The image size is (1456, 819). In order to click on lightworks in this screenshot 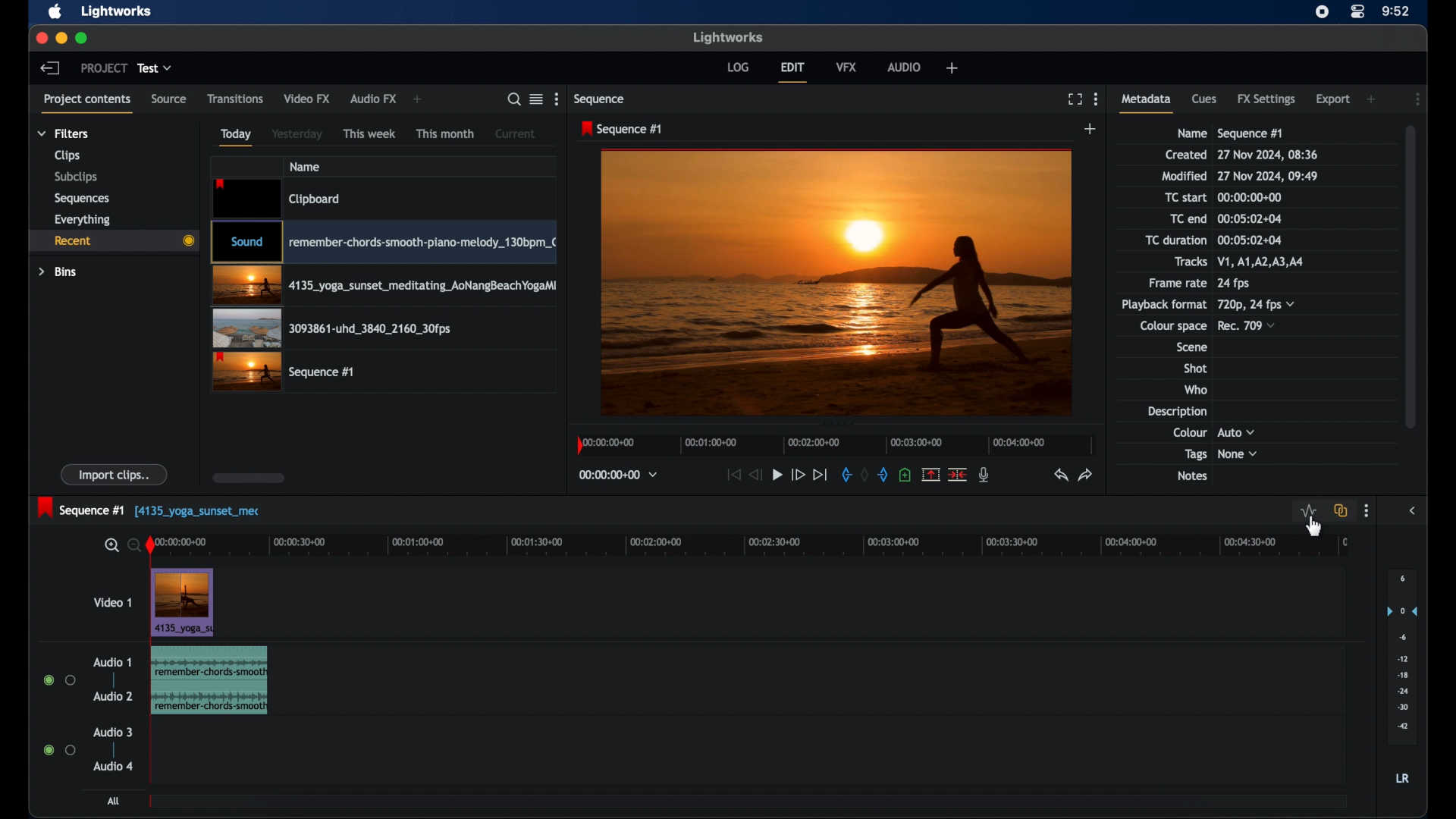, I will do `click(728, 37)`.